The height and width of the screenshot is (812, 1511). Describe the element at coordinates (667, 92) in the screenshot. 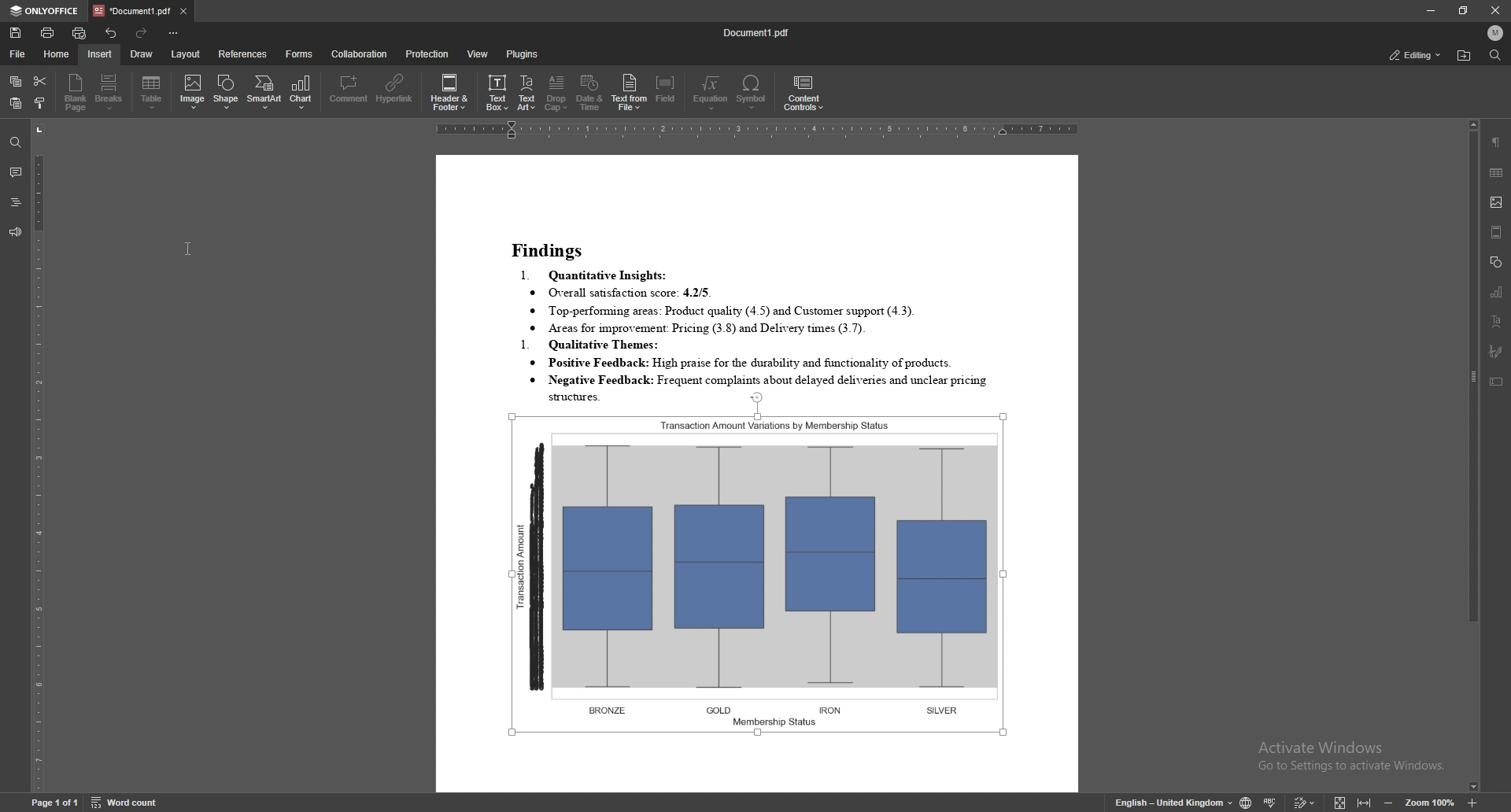

I see `field` at that location.